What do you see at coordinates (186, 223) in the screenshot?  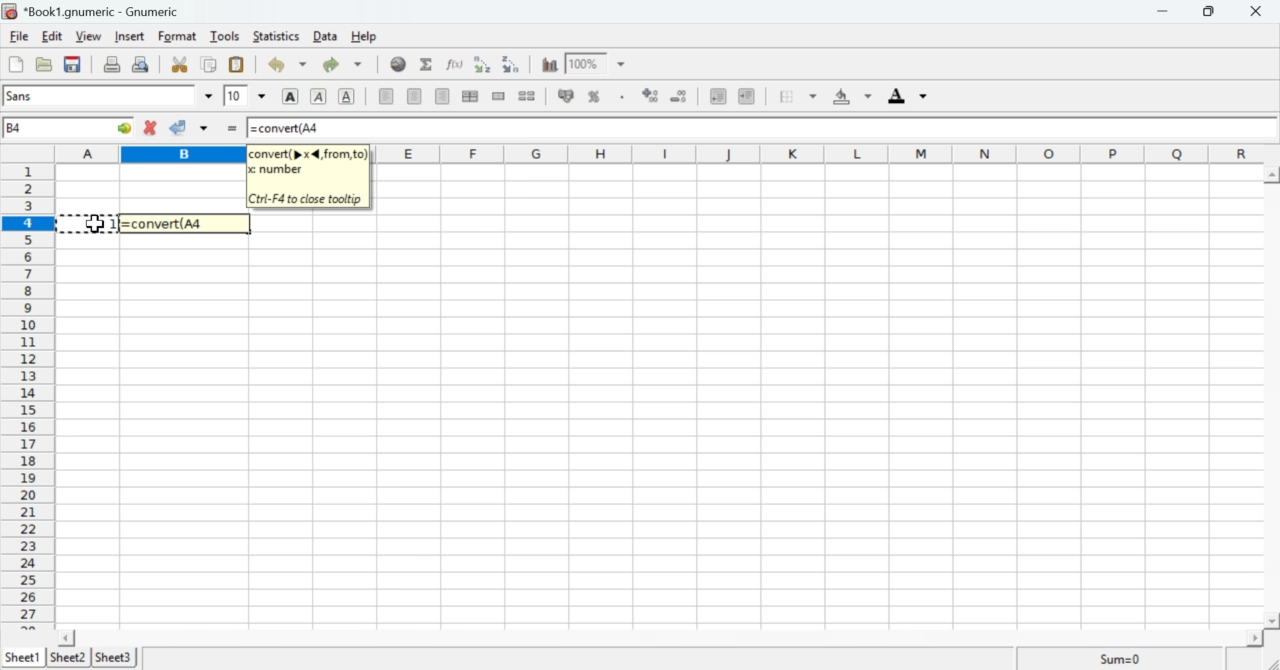 I see `=convert(A4` at bounding box center [186, 223].